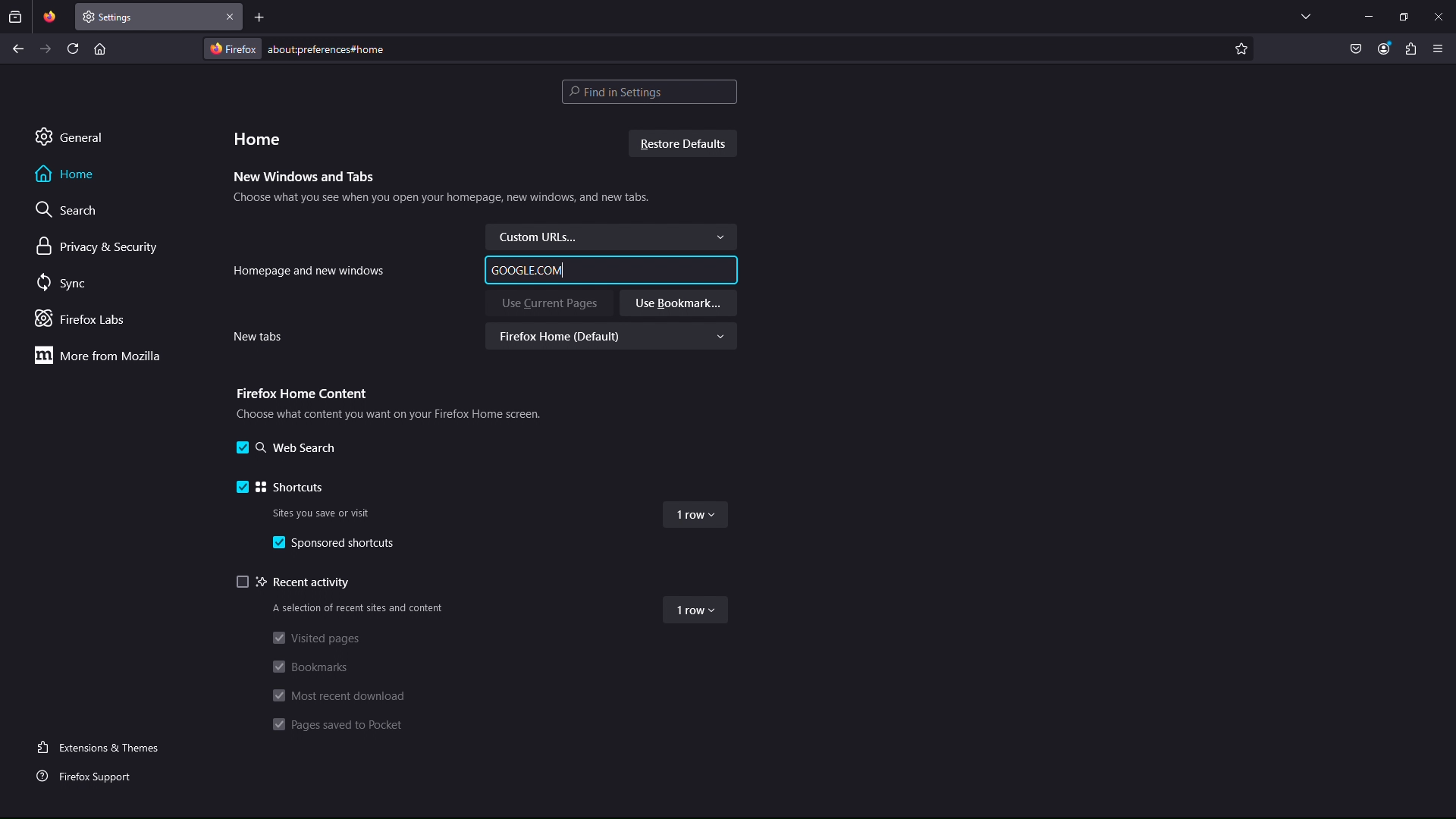 The height and width of the screenshot is (819, 1456). What do you see at coordinates (716, 48) in the screenshot?
I see `Address Bar` at bounding box center [716, 48].